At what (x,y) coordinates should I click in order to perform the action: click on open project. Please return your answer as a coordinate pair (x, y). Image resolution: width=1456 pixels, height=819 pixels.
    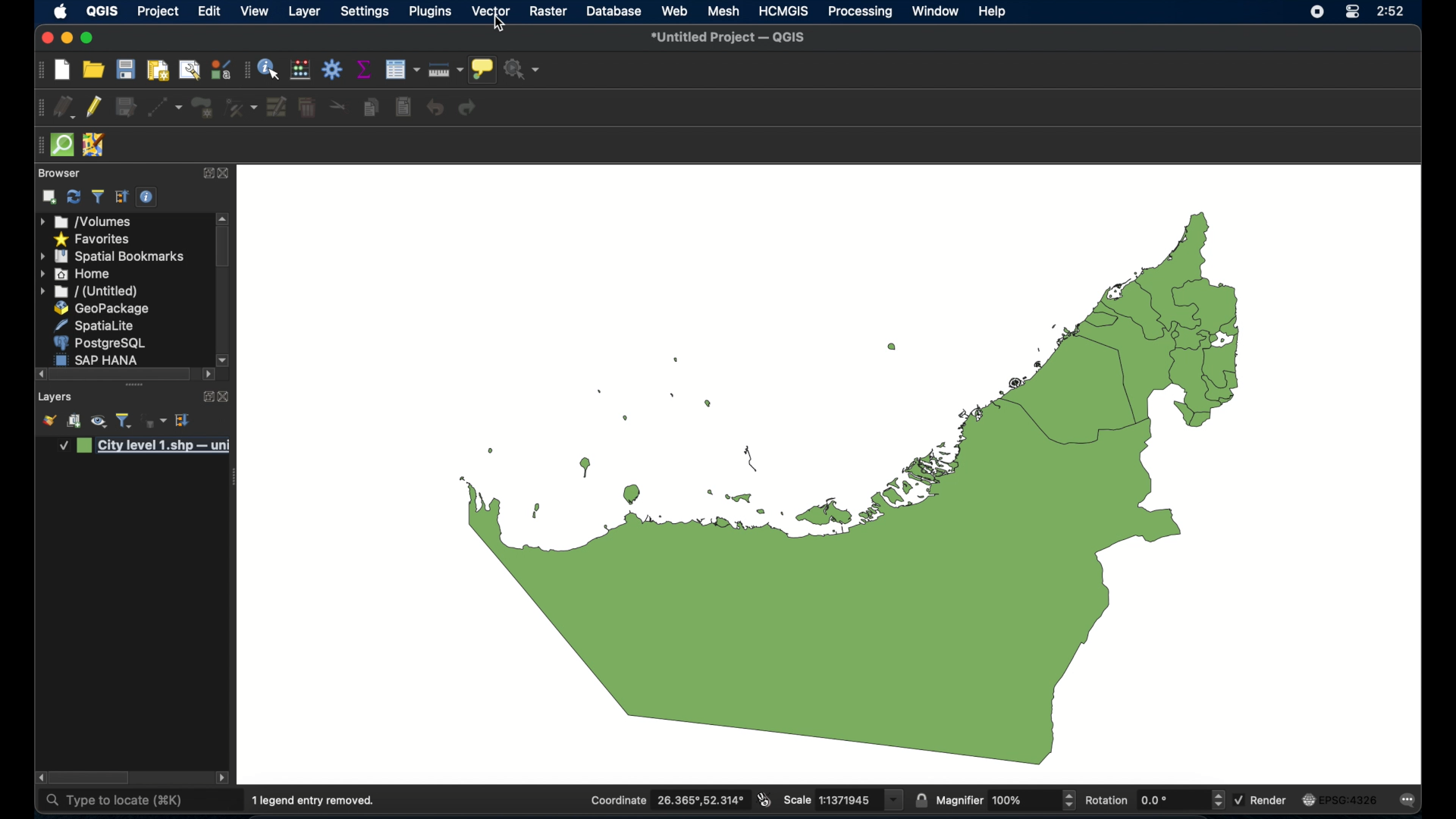
    Looking at the image, I should click on (93, 69).